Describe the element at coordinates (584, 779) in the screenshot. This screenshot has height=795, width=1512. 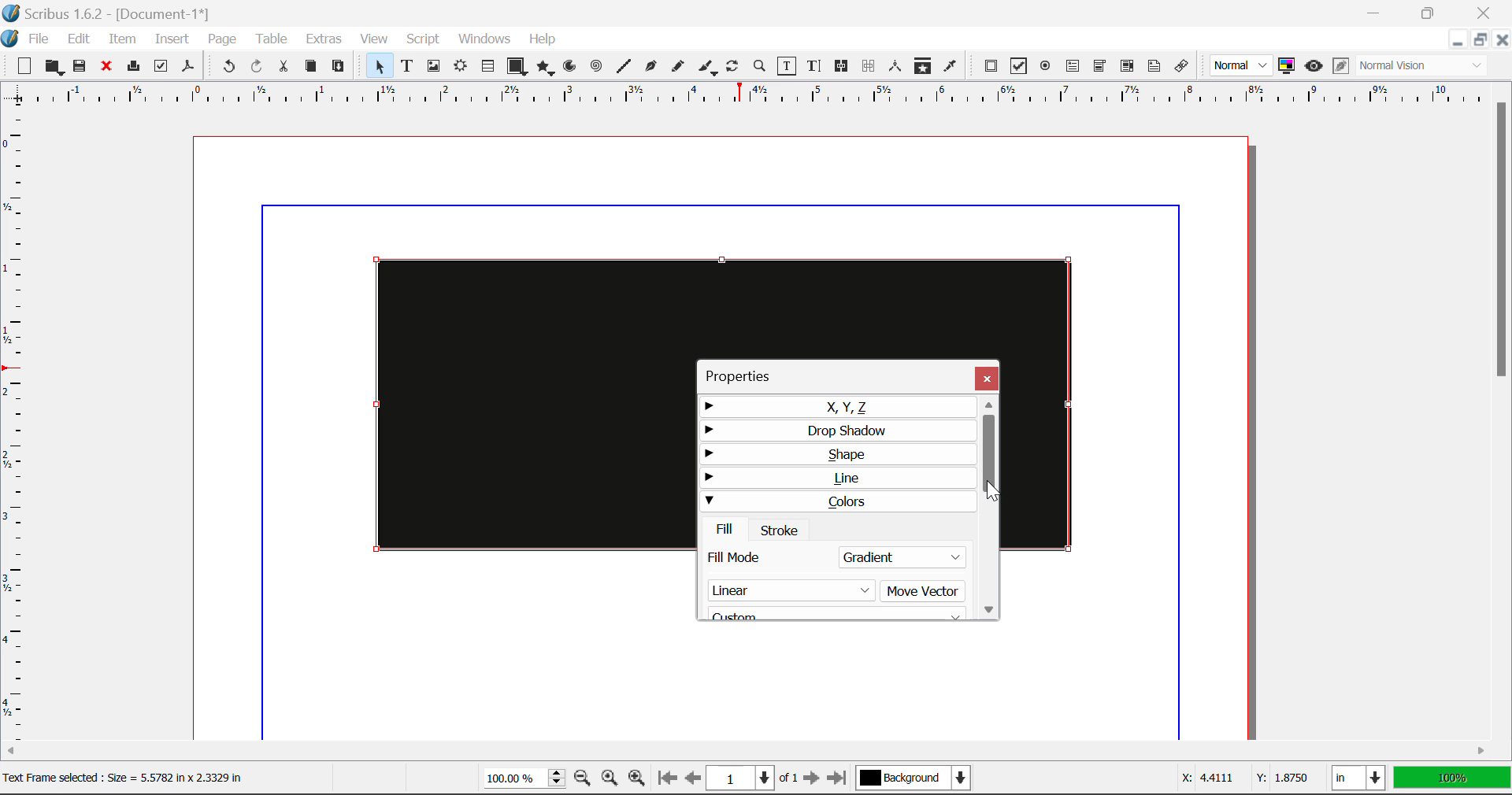
I see `Zoom Out` at that location.